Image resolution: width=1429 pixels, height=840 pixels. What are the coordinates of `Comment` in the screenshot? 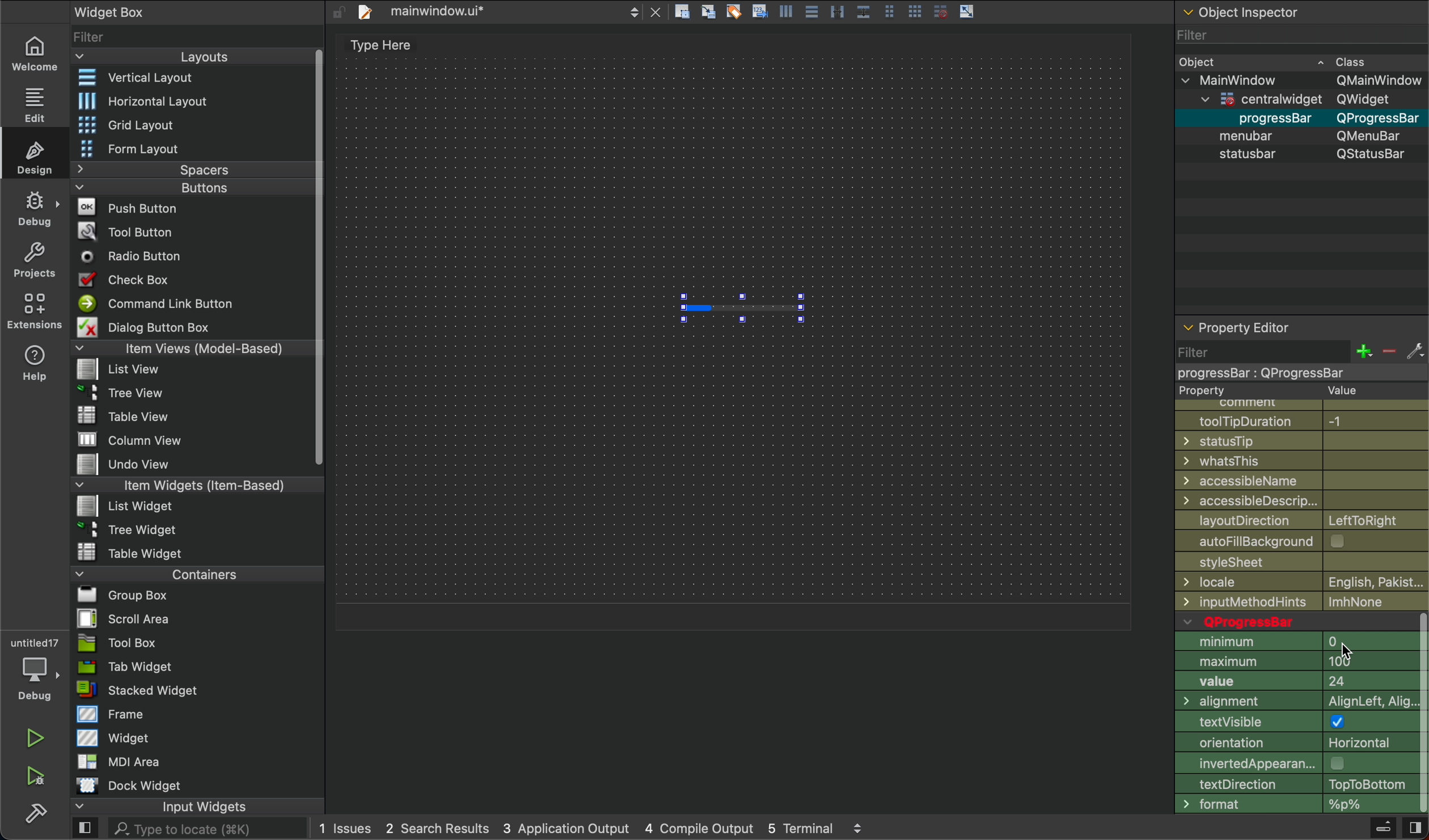 It's located at (1290, 404).